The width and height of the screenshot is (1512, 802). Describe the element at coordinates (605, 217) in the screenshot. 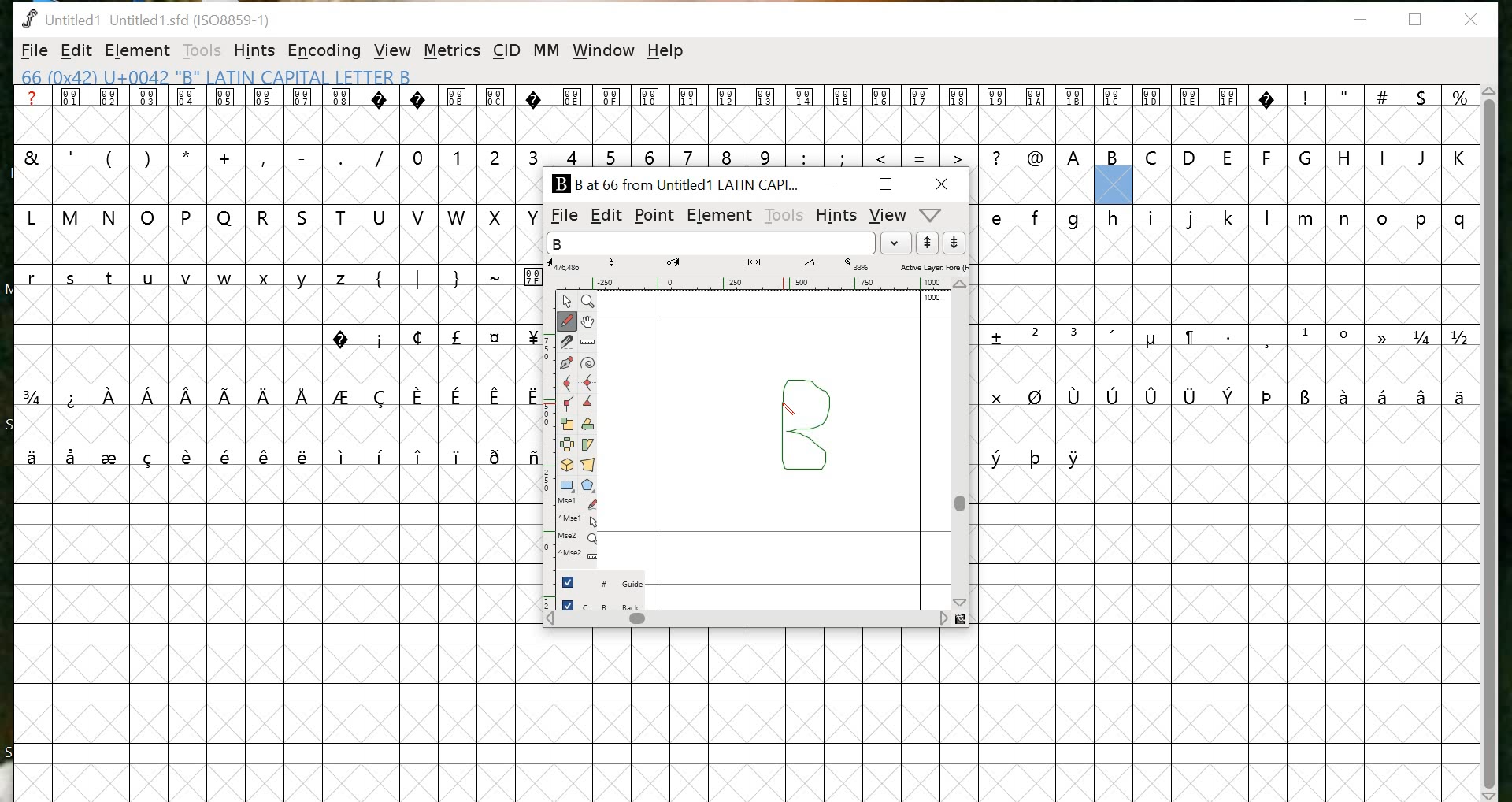

I see `EDIT` at that location.